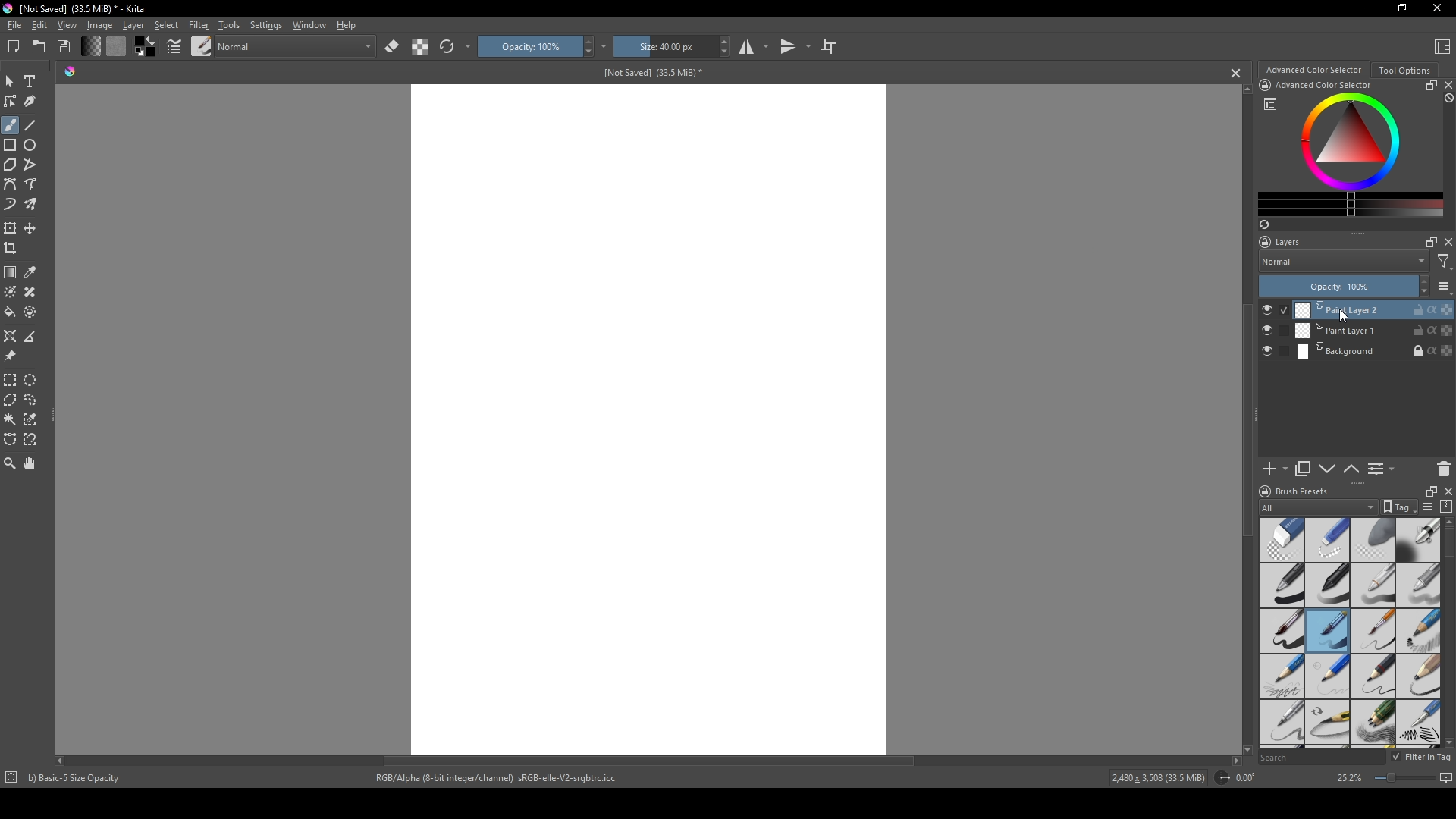 This screenshot has height=819, width=1456. I want to click on transitions, so click(795, 47).